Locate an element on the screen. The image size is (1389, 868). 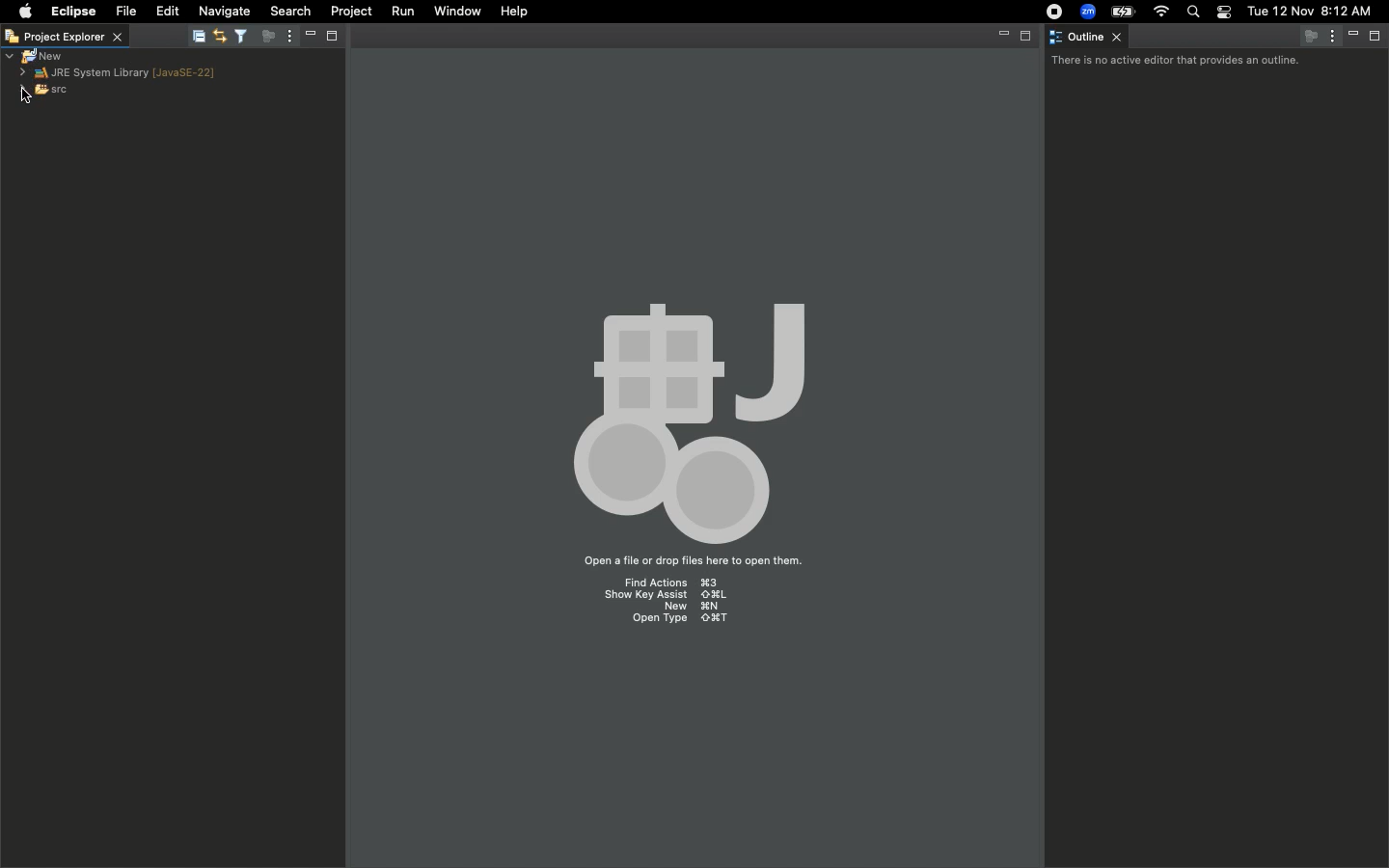
New is located at coordinates (32, 56).